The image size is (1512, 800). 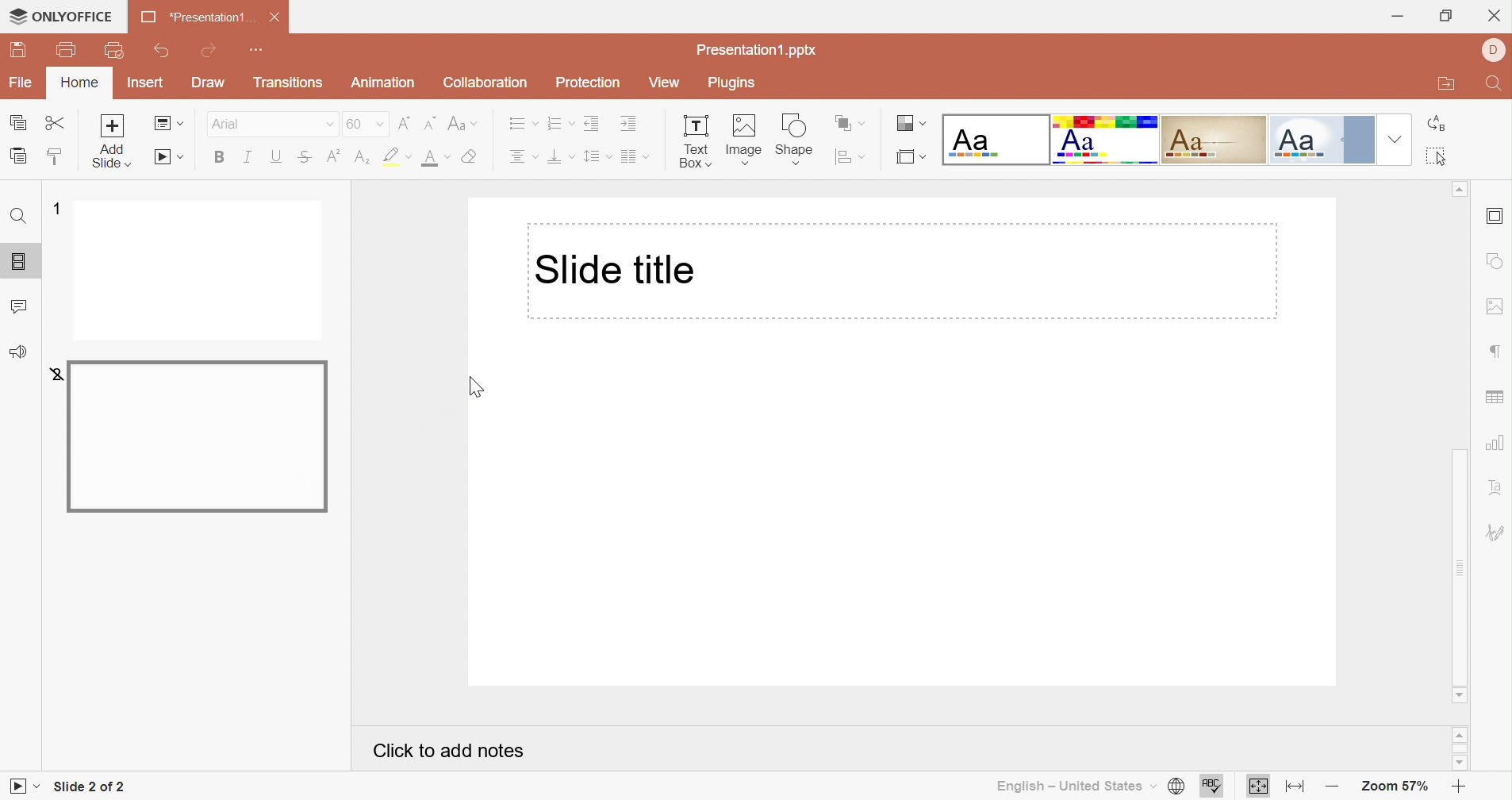 I want to click on Home, so click(x=77, y=83).